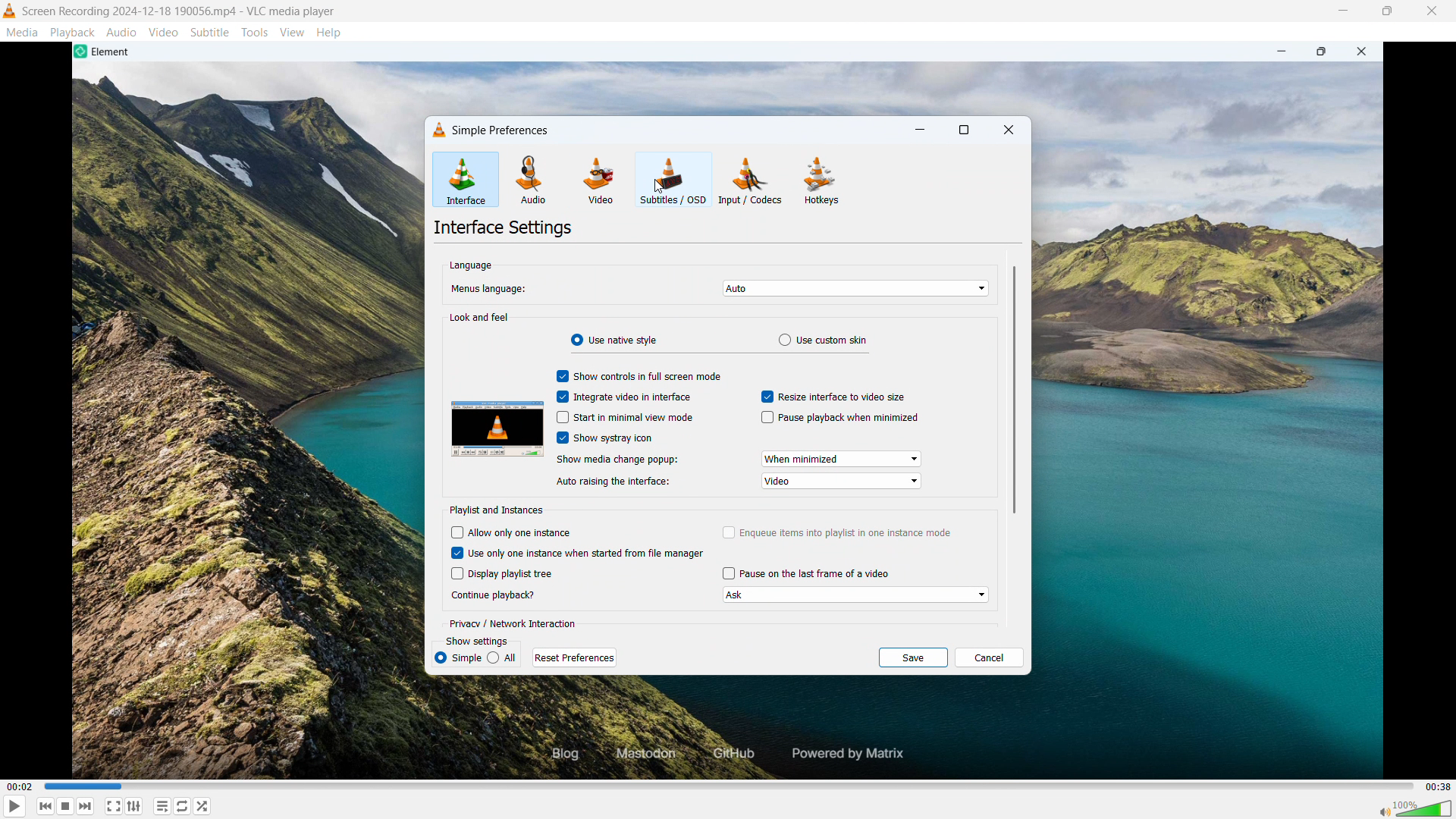 This screenshot has height=819, width=1456. What do you see at coordinates (868, 755) in the screenshot?
I see `powered by matrix` at bounding box center [868, 755].